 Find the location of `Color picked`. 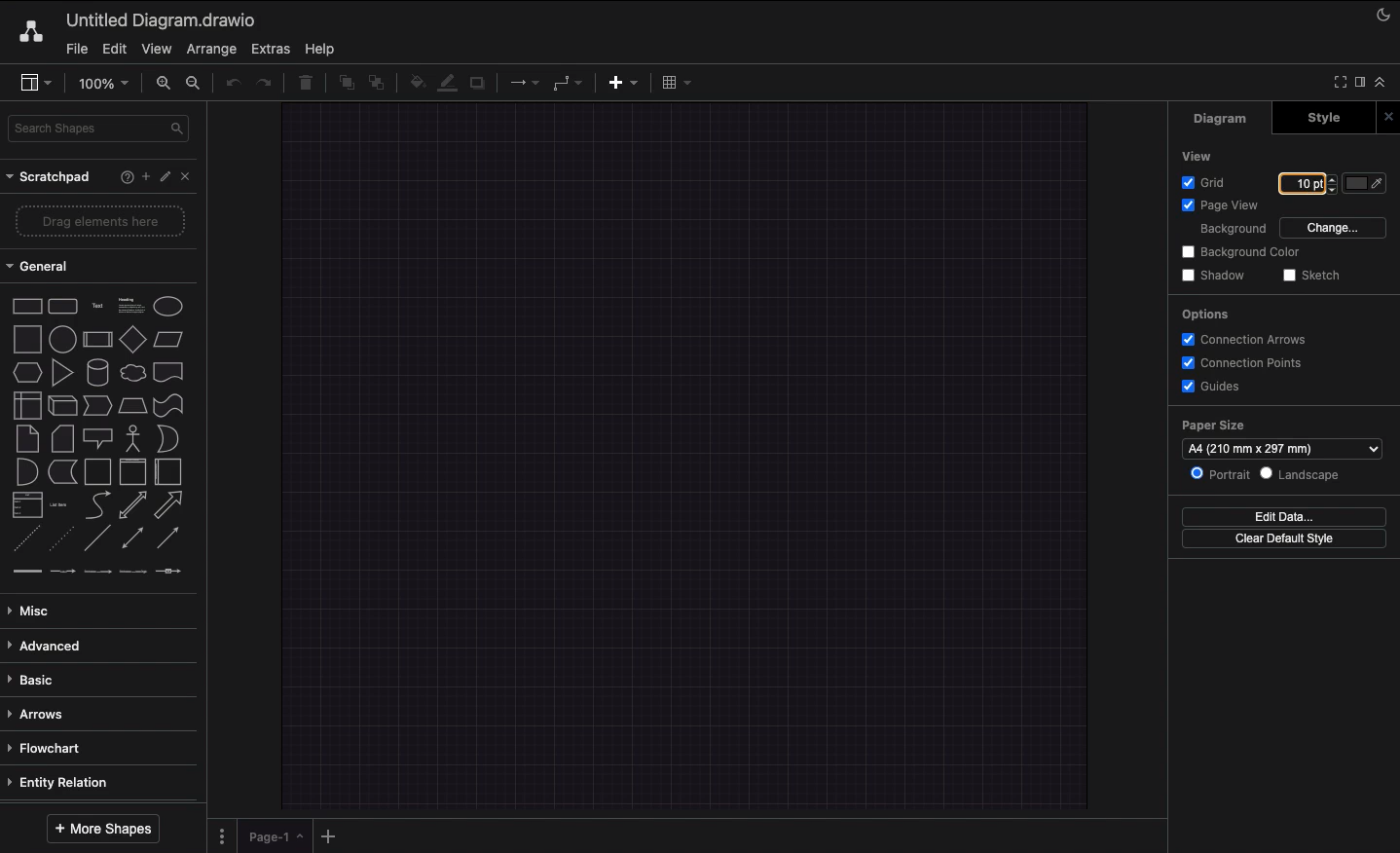

Color picked is located at coordinates (1364, 183).